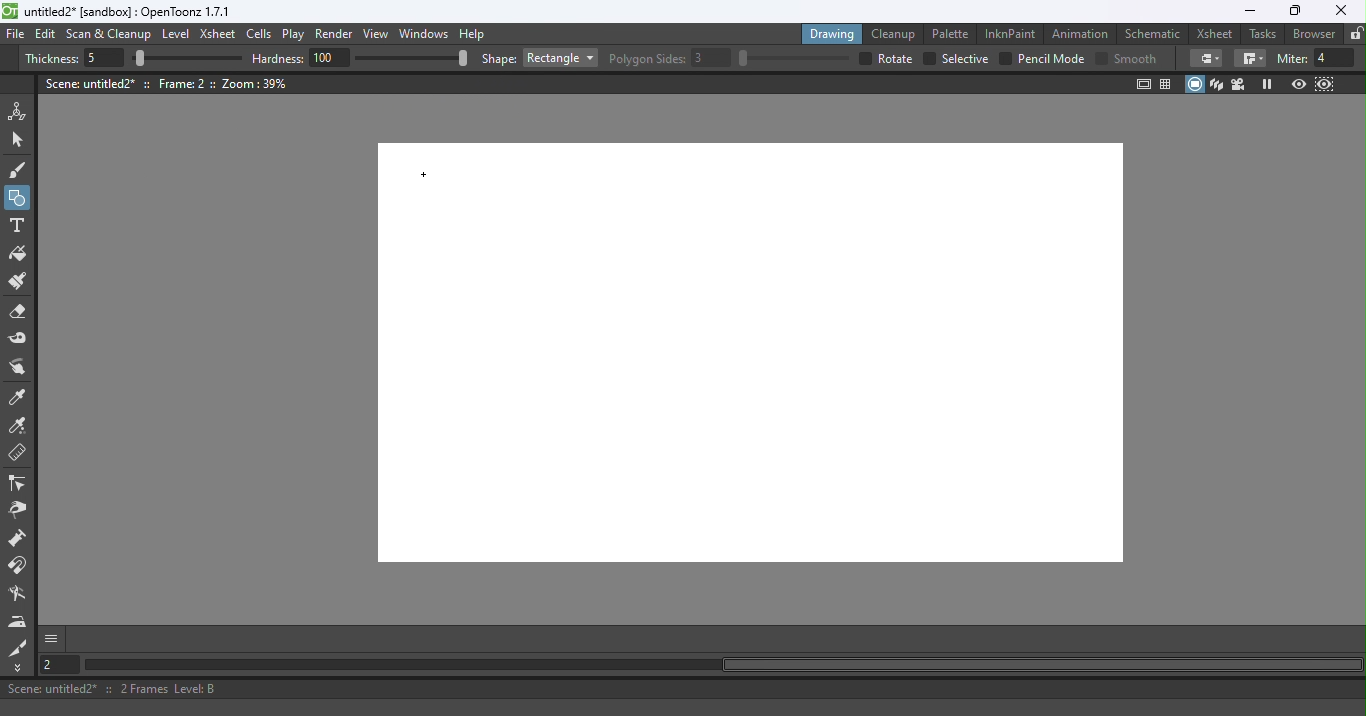 This screenshot has width=1366, height=716. What do you see at coordinates (1196, 84) in the screenshot?
I see `Camera stand view` at bounding box center [1196, 84].